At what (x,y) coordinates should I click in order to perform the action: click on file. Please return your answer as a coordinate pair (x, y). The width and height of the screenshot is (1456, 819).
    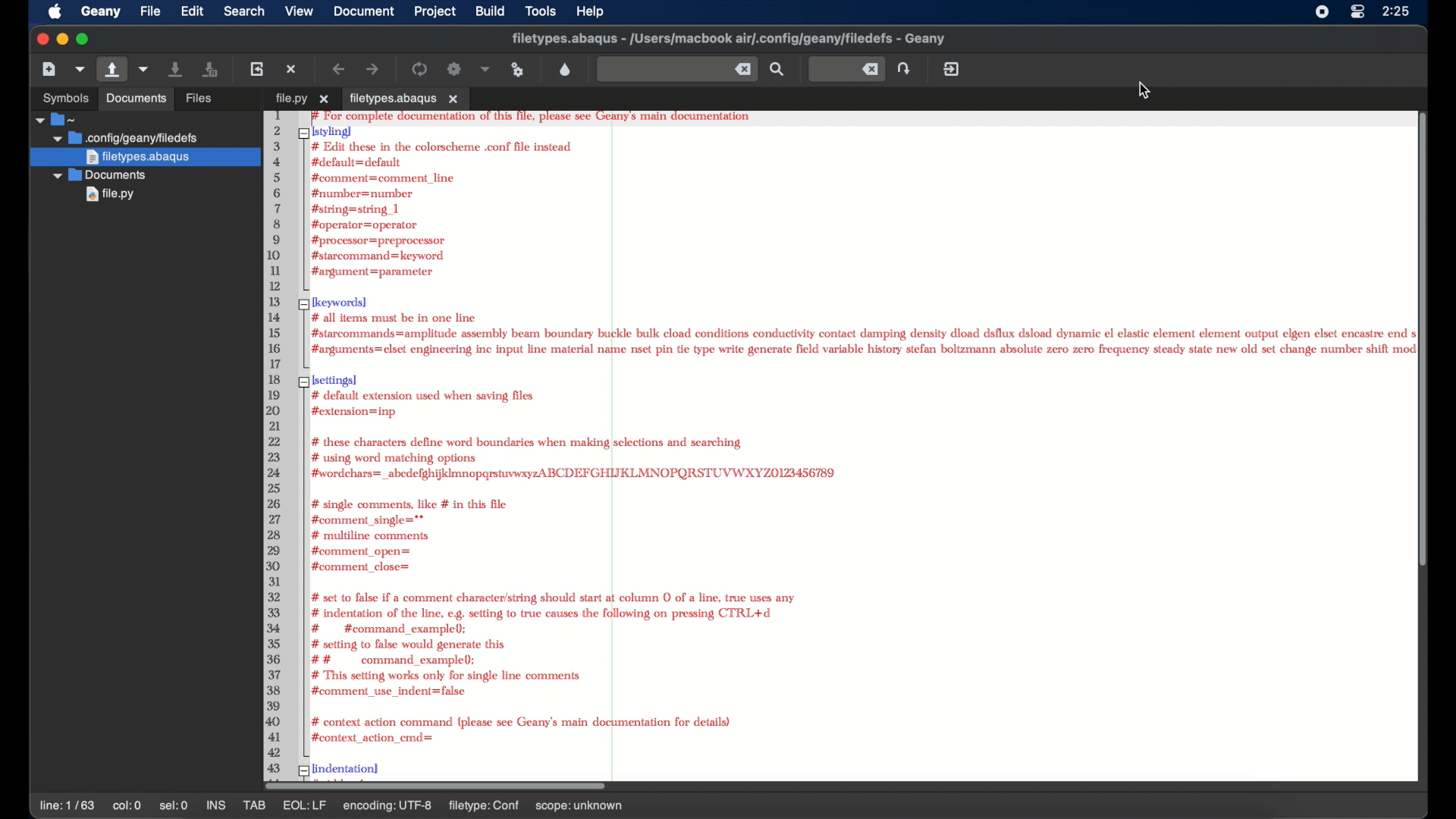
    Looking at the image, I should click on (127, 137).